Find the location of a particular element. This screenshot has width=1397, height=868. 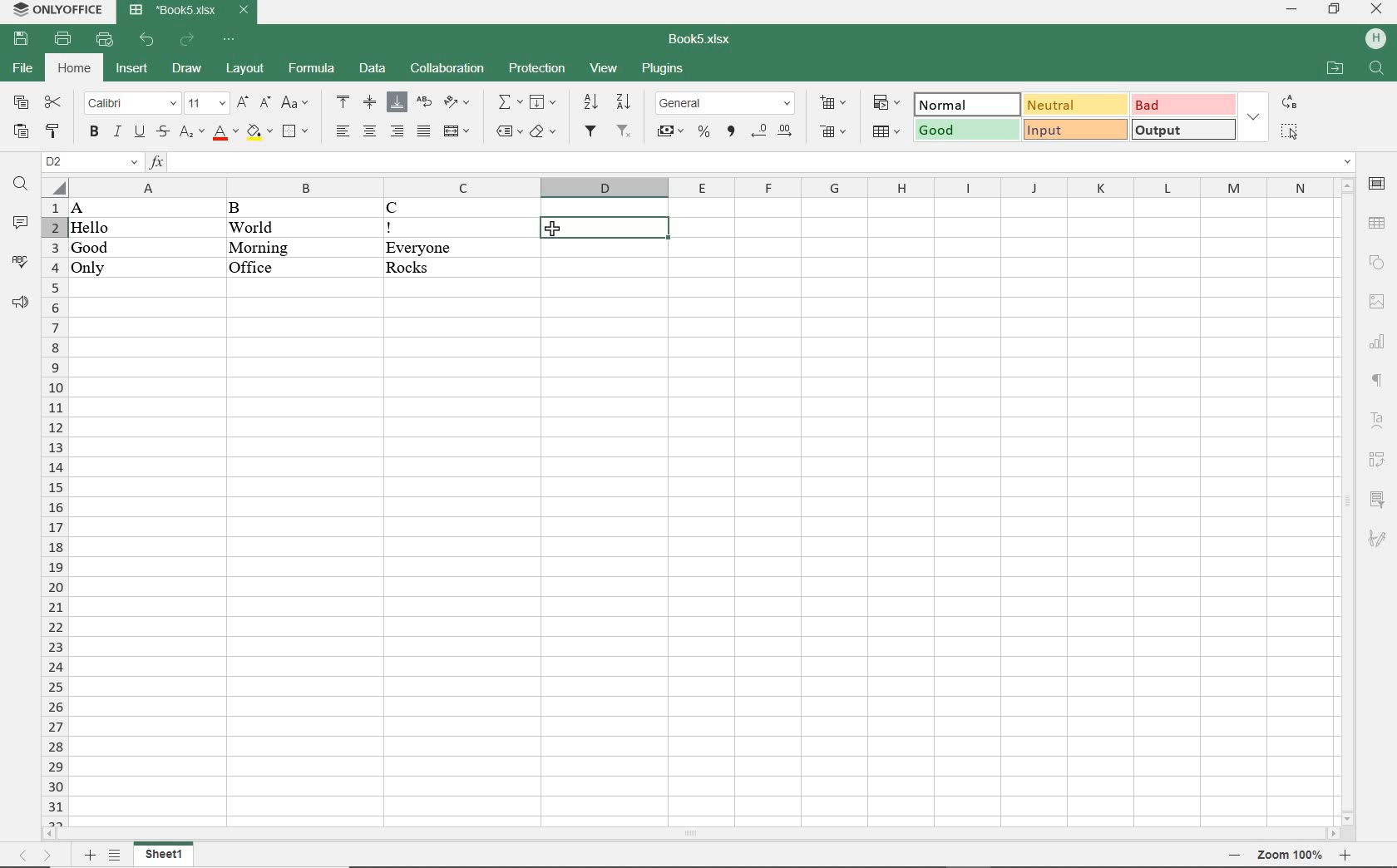

pivot table is located at coordinates (1378, 461).